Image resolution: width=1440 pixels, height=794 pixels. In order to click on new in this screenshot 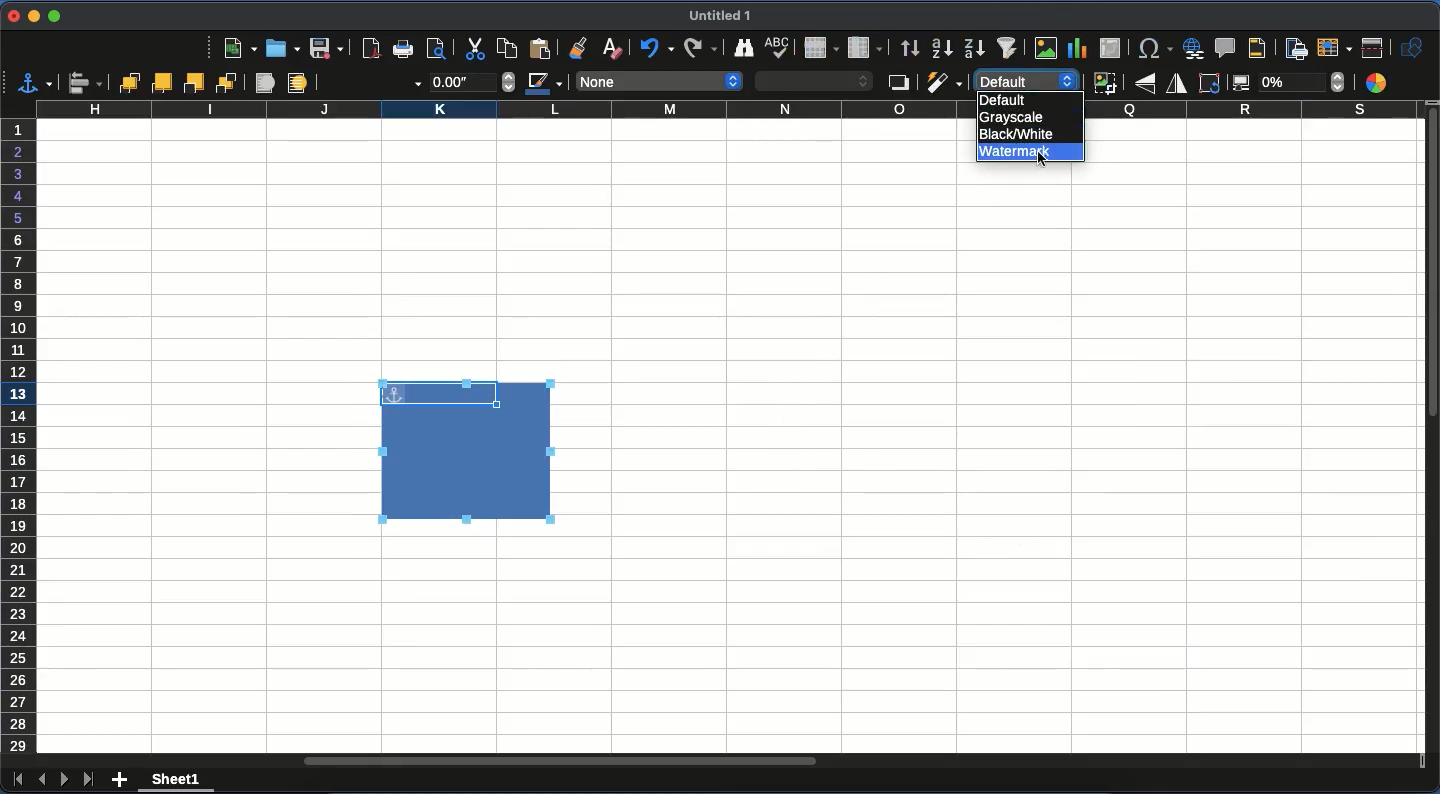, I will do `click(239, 49)`.